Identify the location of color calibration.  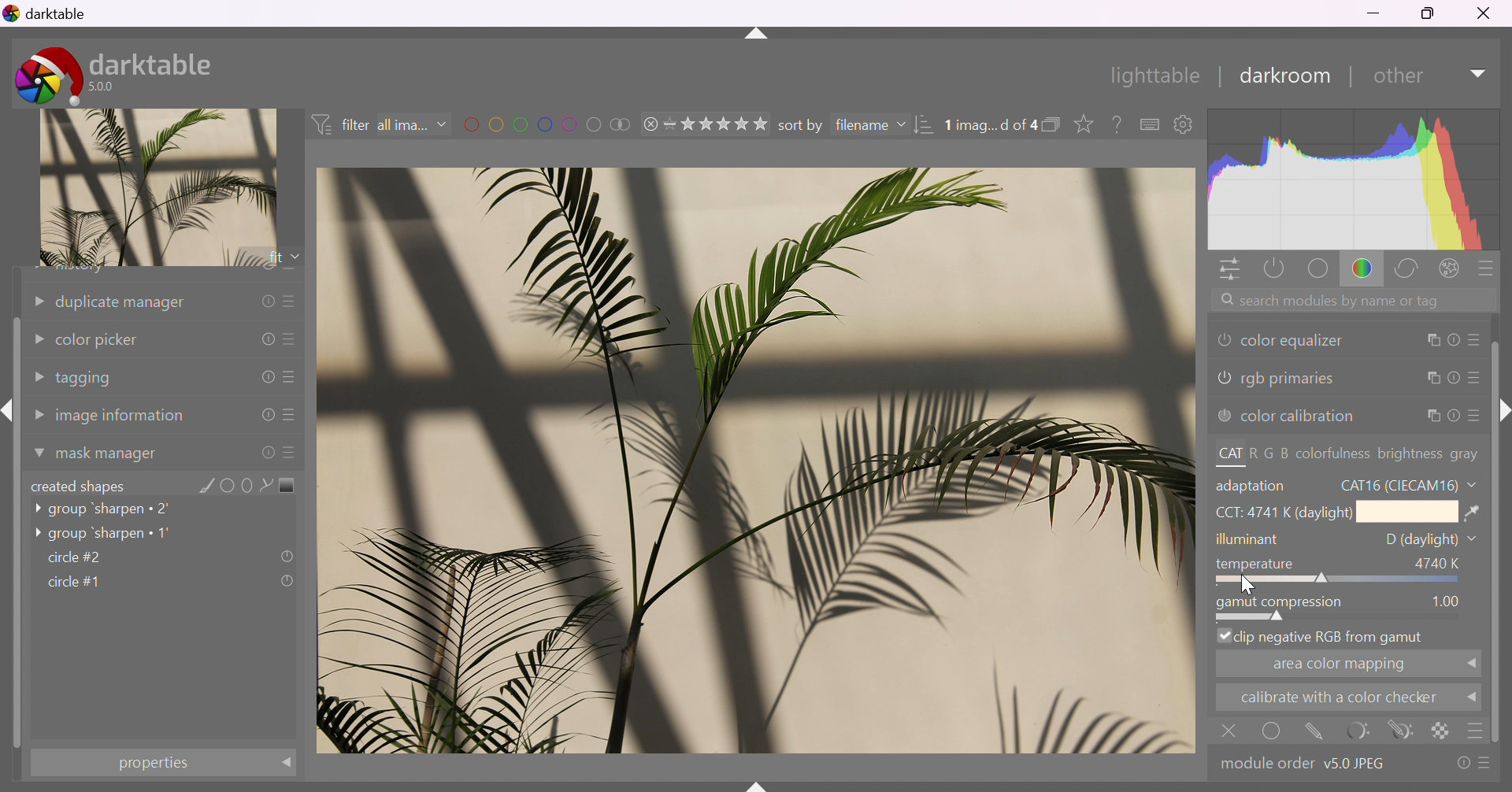
(1347, 415).